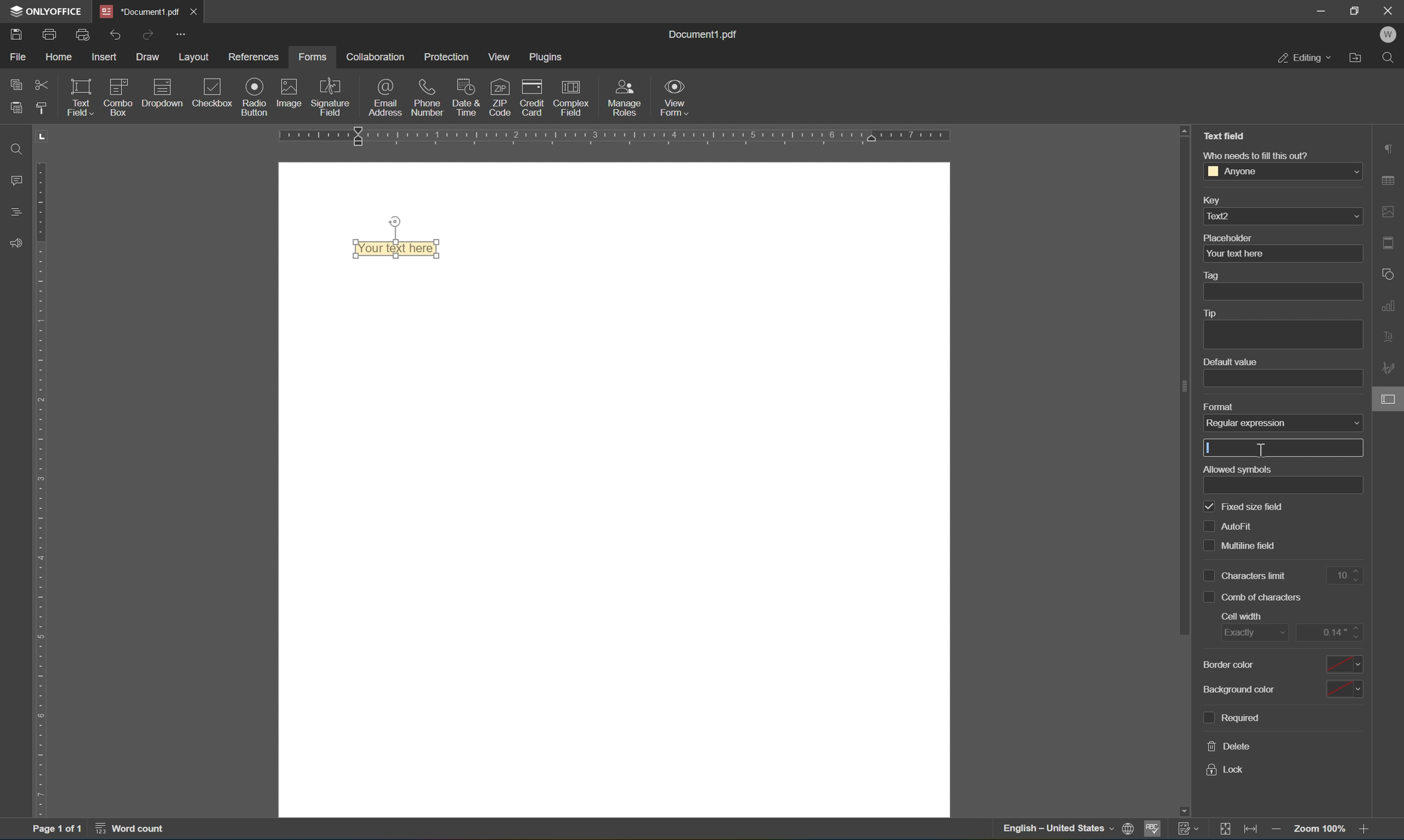  I want to click on Text Field, so click(1226, 136).